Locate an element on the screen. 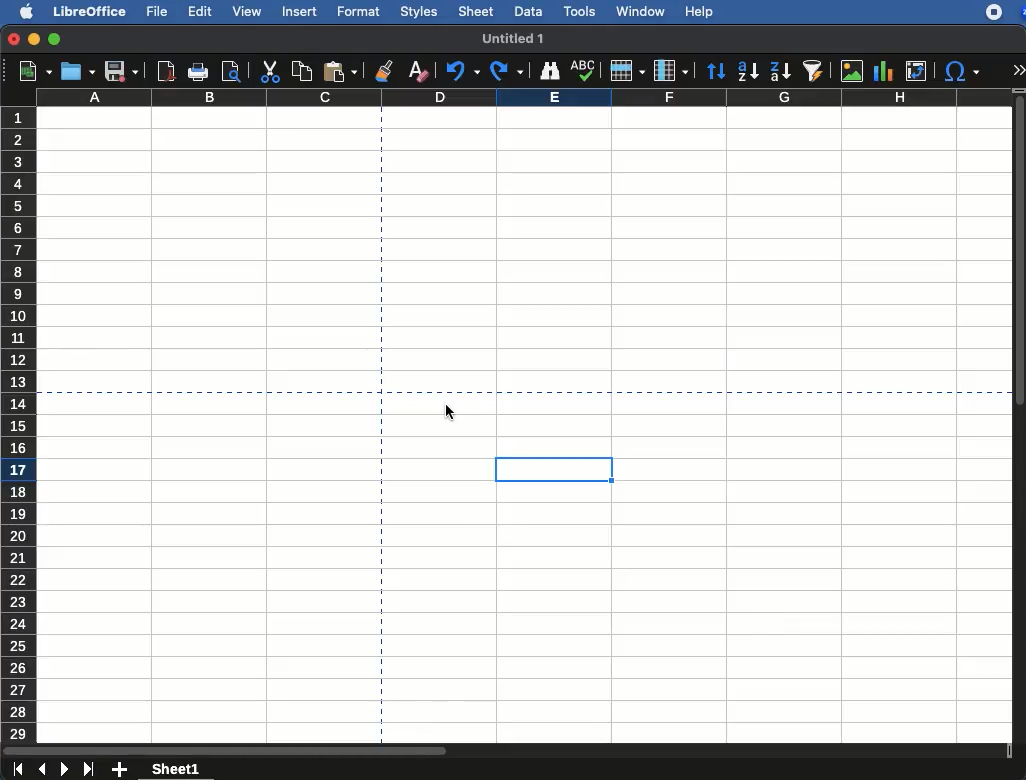 This screenshot has height=780, width=1026. column is located at coordinates (524, 98).